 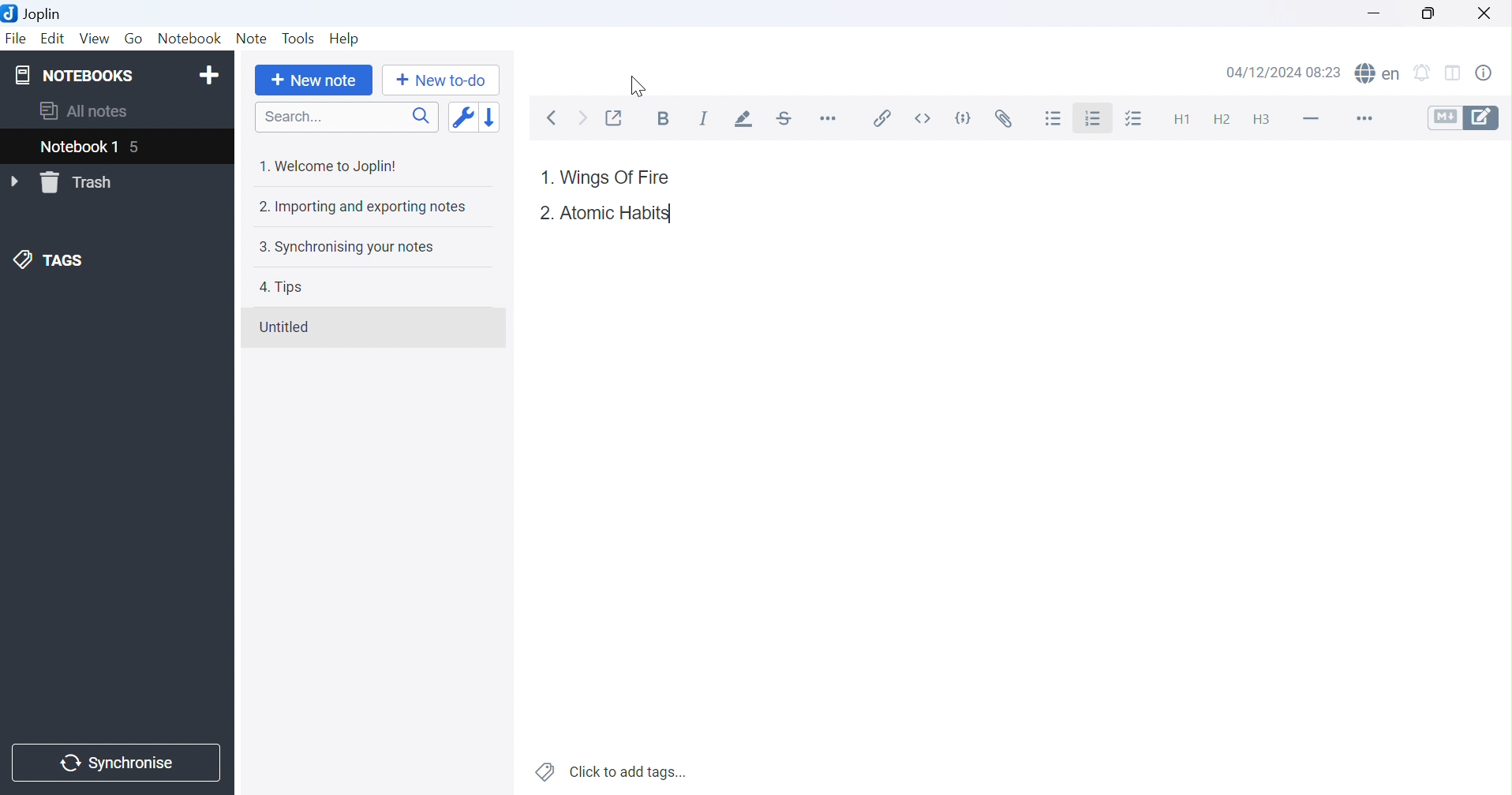 I want to click on Bold, so click(x=664, y=118).